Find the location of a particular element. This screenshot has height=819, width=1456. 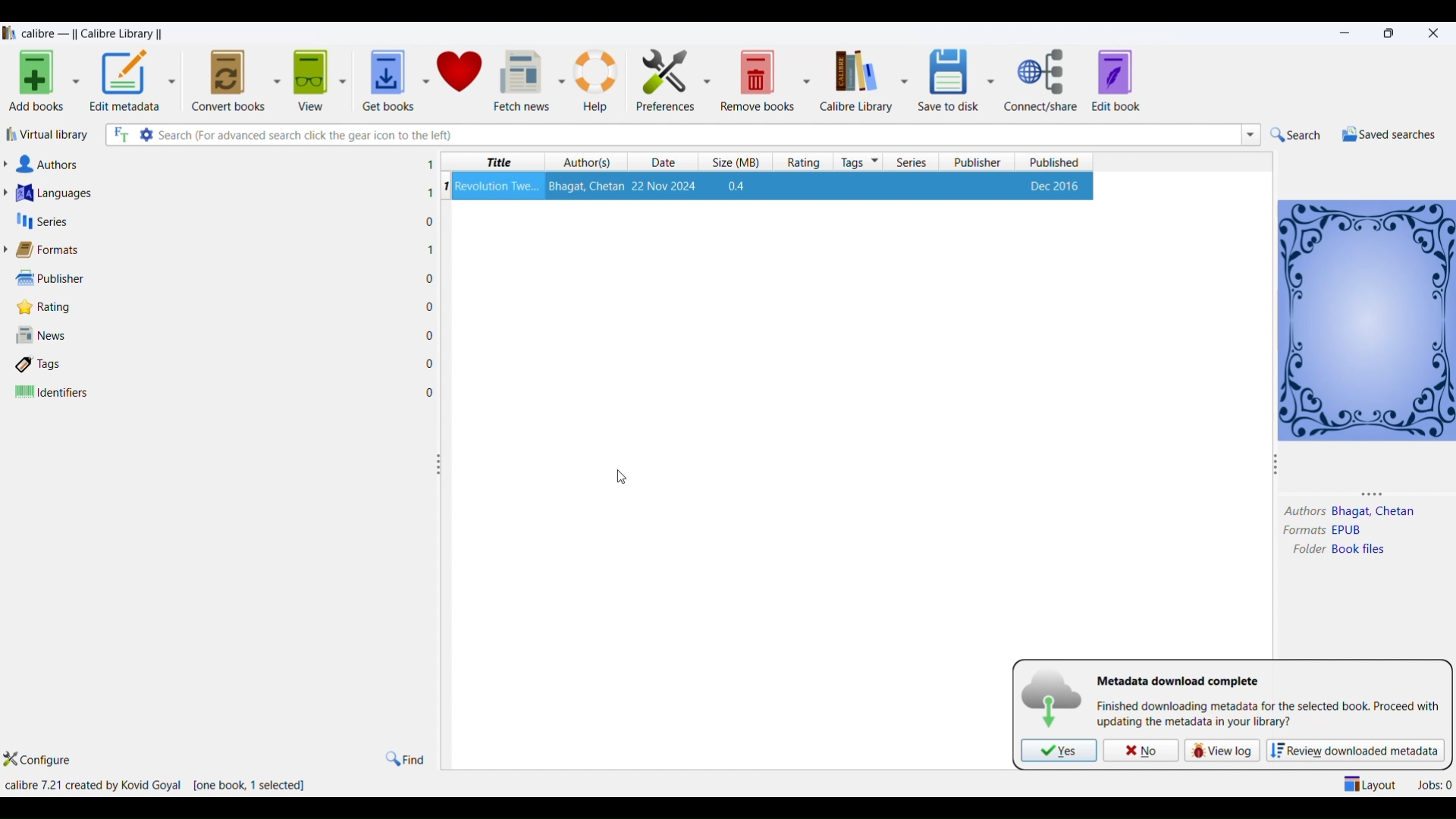

text is located at coordinates (1177, 682).